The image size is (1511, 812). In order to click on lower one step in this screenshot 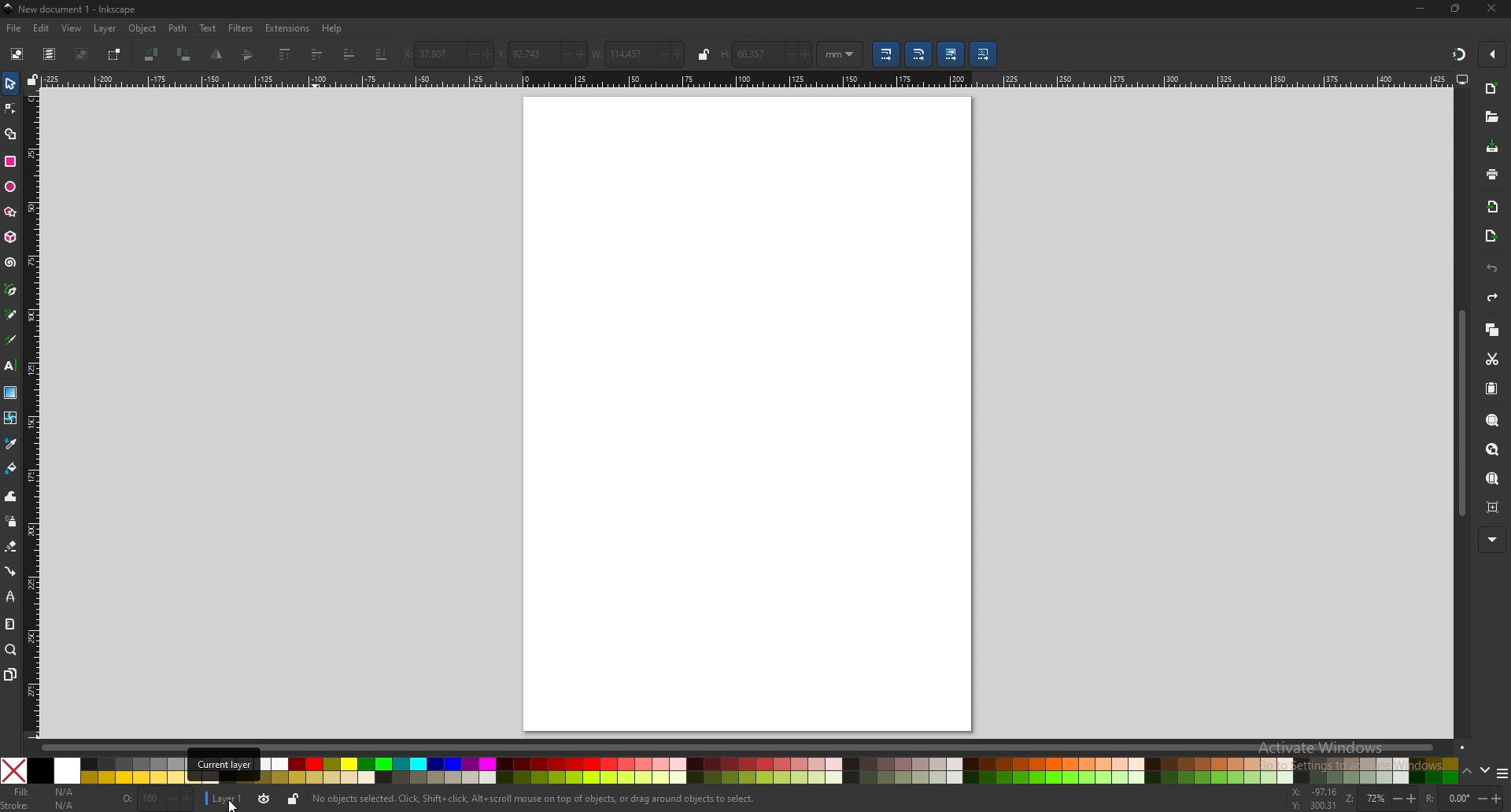, I will do `click(349, 54)`.